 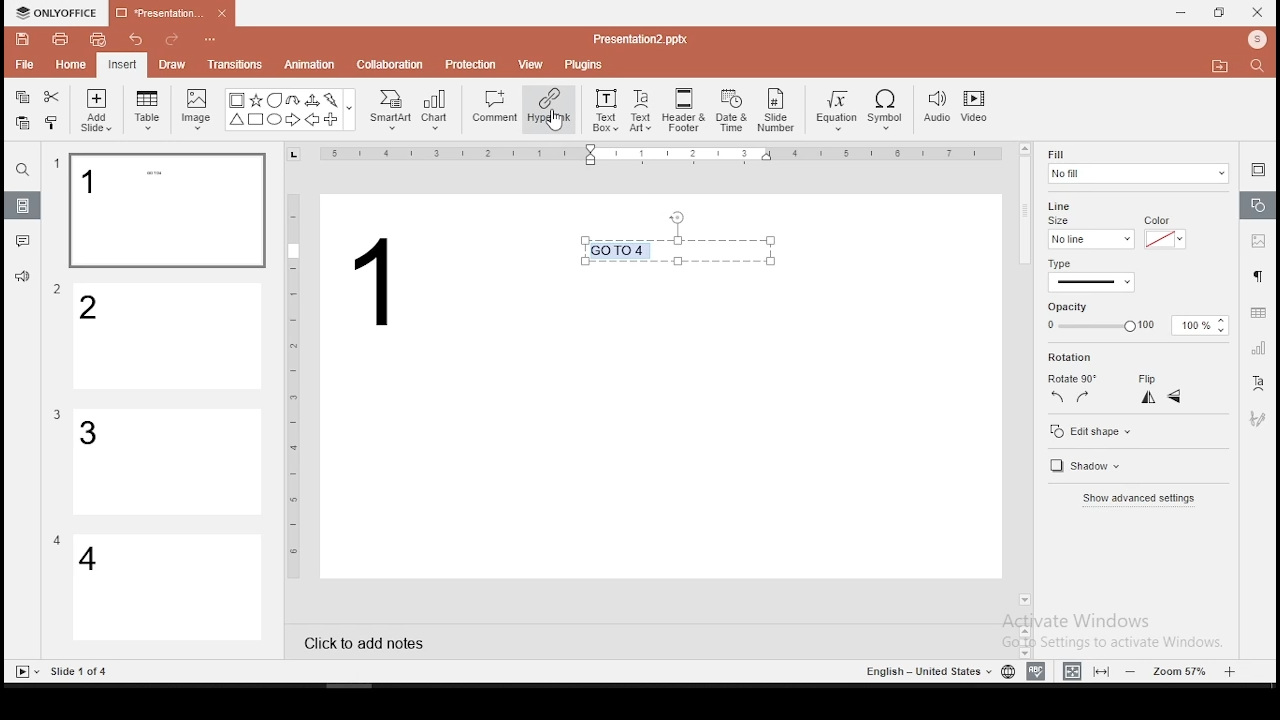 I want to click on shadow, so click(x=1082, y=468).